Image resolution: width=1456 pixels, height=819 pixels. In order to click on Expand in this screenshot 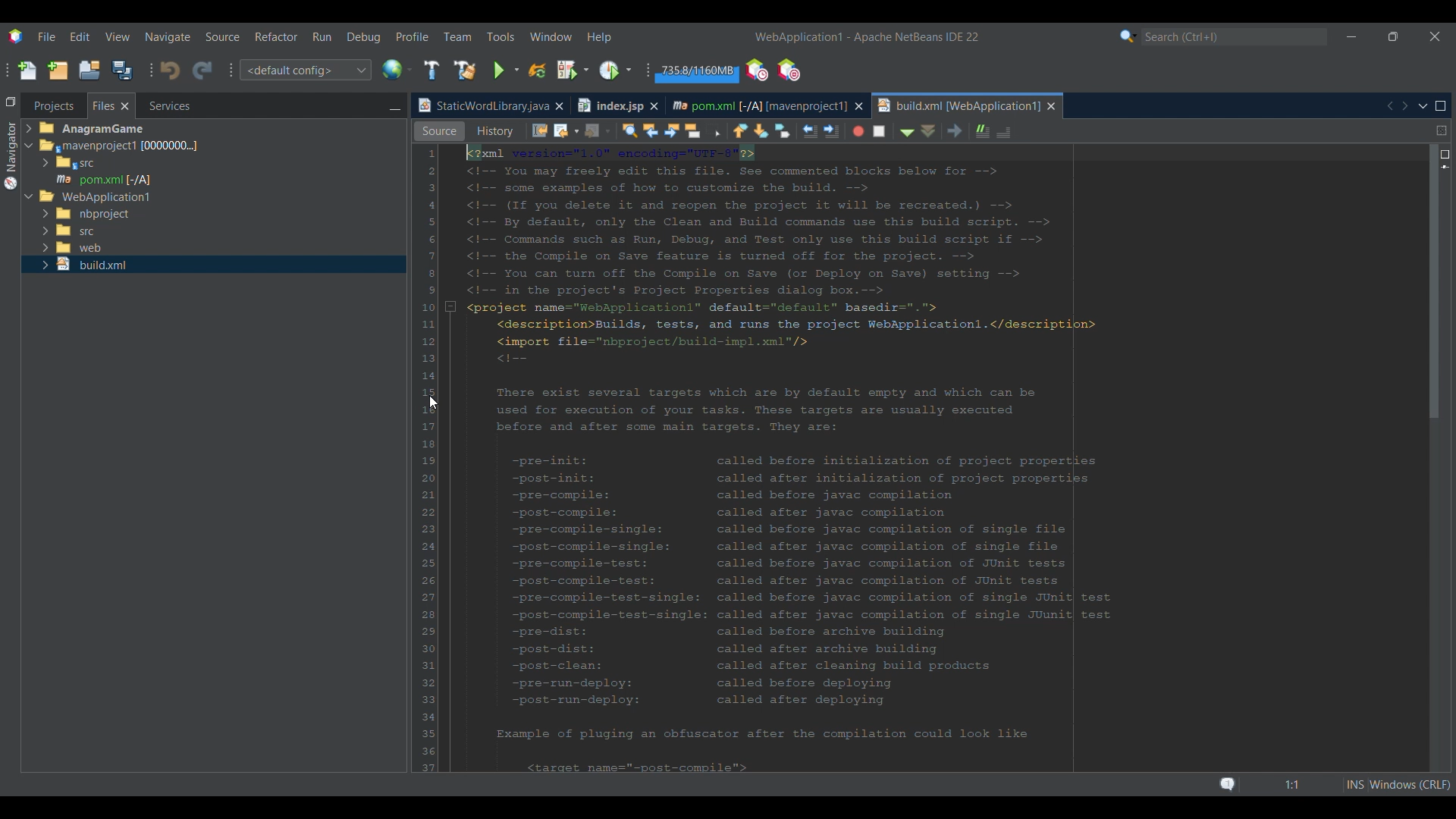, I will do `click(31, 165)`.